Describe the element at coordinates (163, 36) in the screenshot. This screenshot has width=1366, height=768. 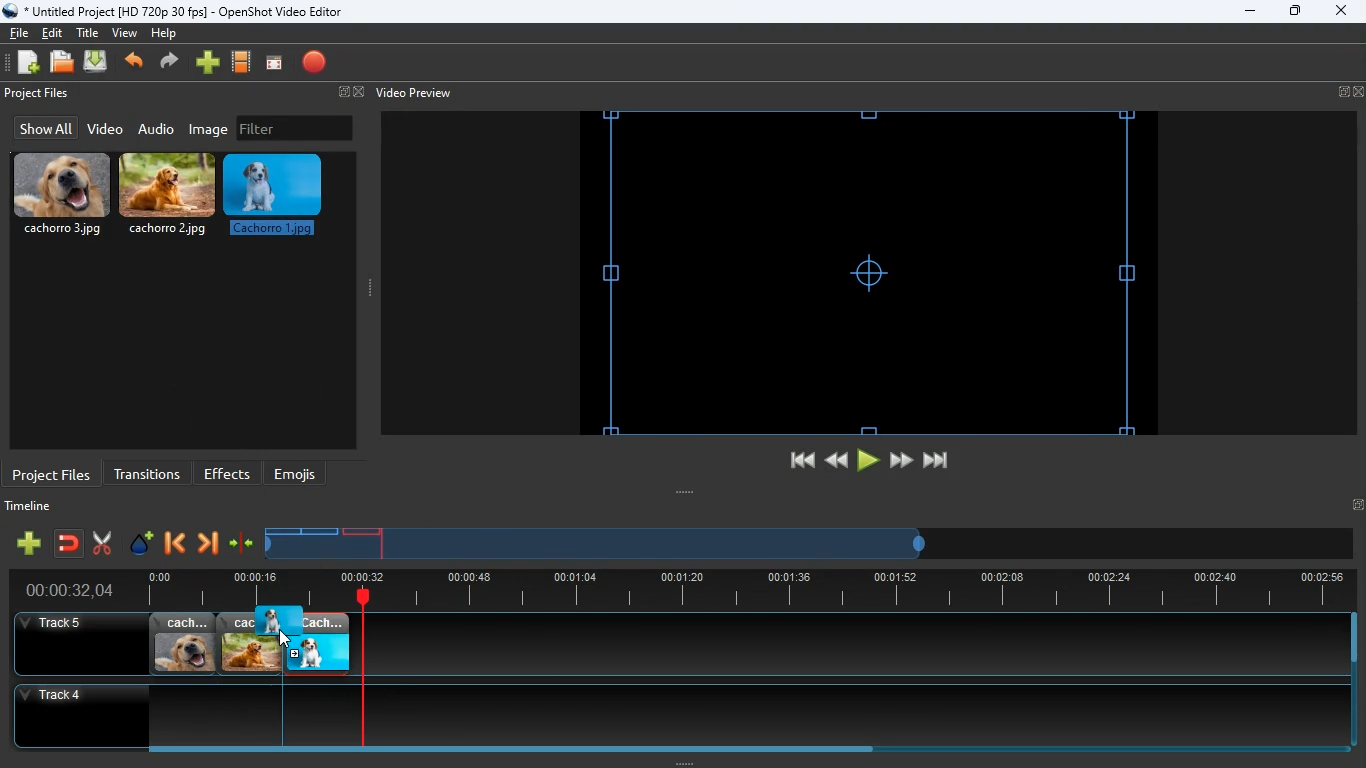
I see `help` at that location.